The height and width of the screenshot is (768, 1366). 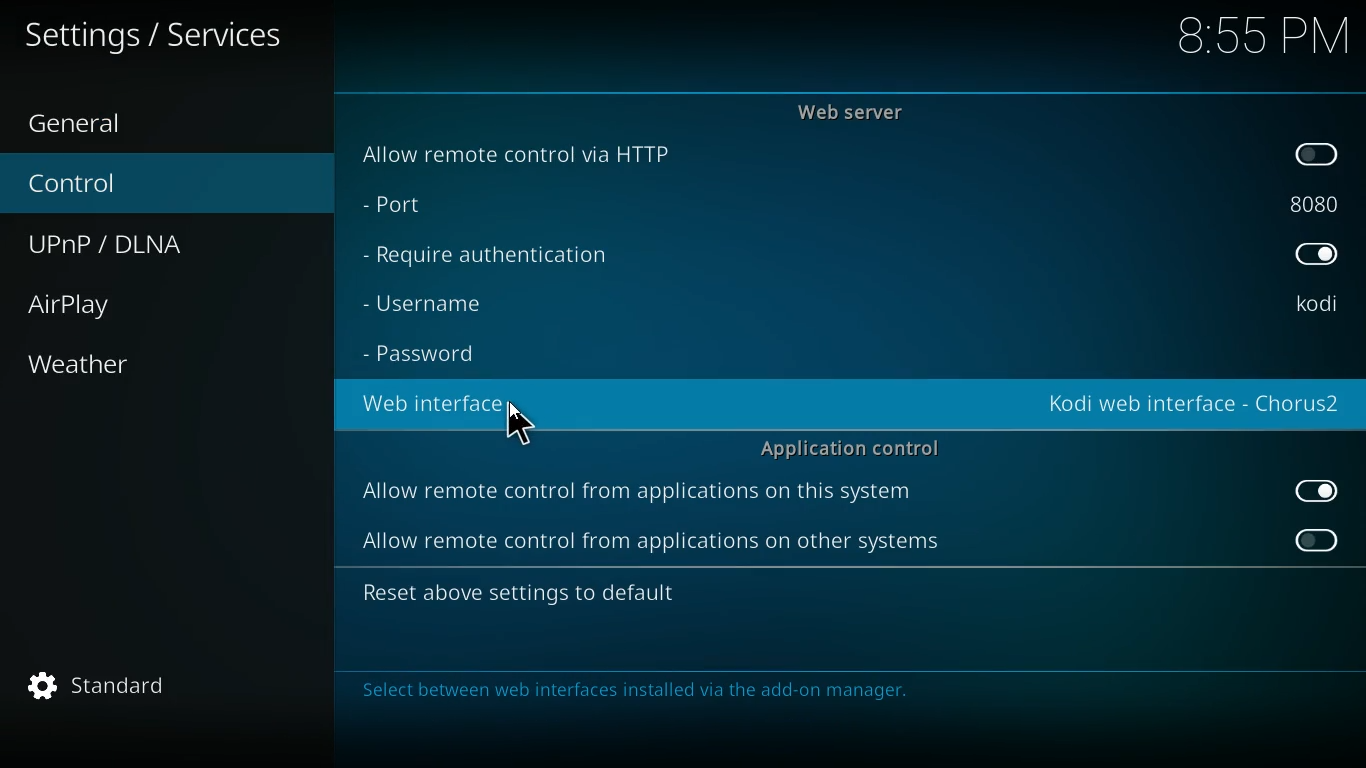 I want to click on standard, so click(x=107, y=687).